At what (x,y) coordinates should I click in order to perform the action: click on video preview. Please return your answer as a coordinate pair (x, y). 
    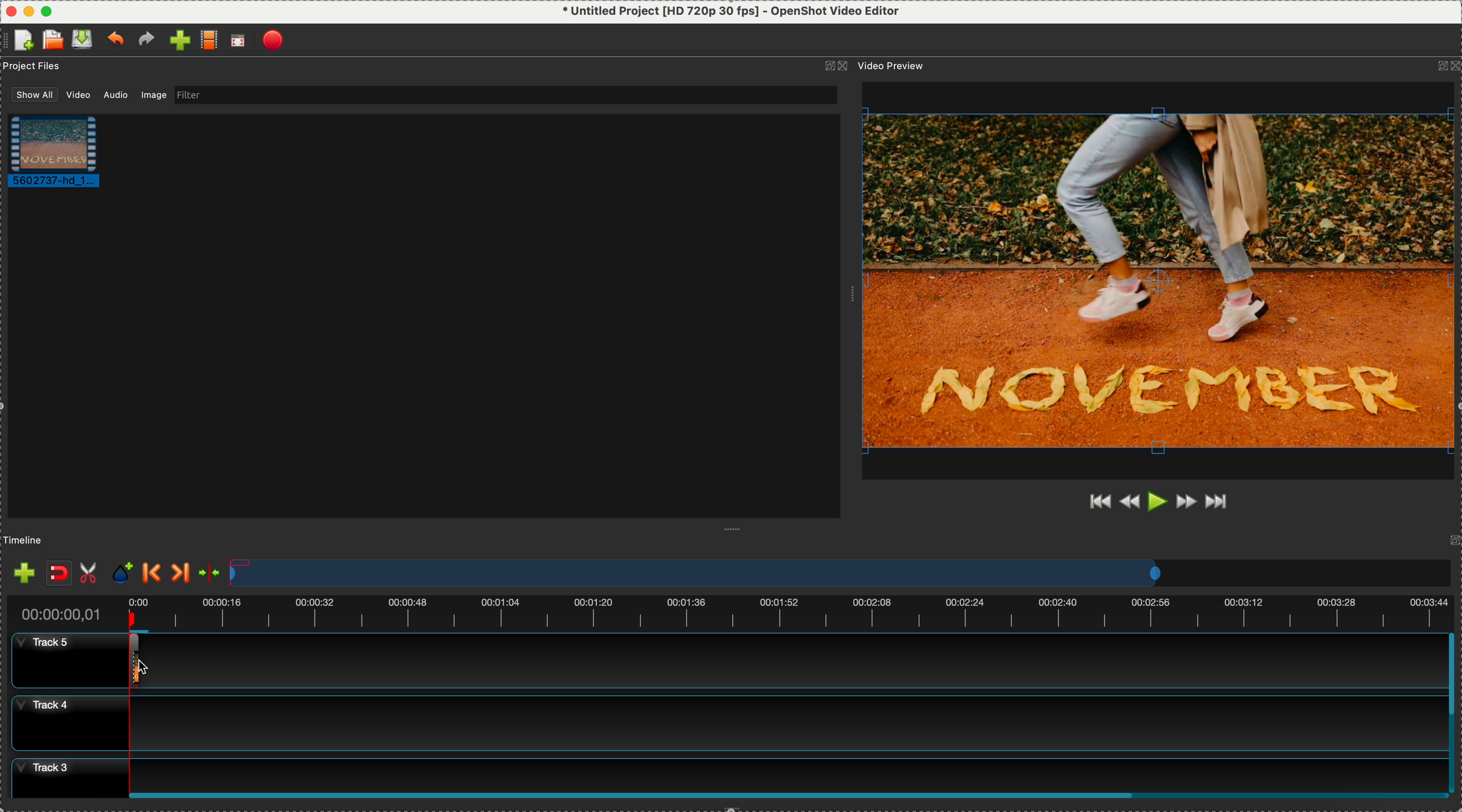
    Looking at the image, I should click on (1161, 280).